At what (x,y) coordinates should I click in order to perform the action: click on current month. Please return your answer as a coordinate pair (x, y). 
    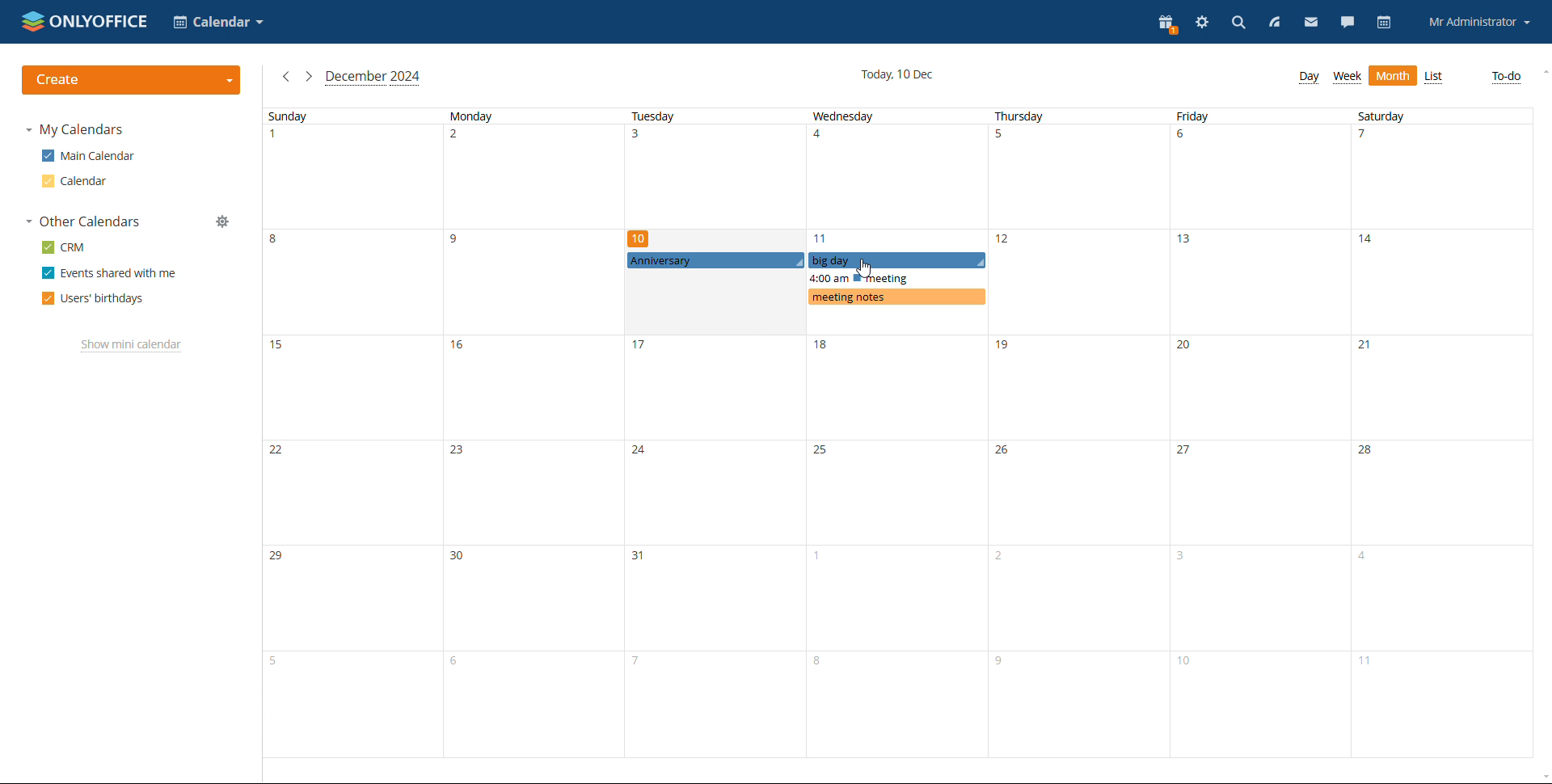
    Looking at the image, I should click on (373, 78).